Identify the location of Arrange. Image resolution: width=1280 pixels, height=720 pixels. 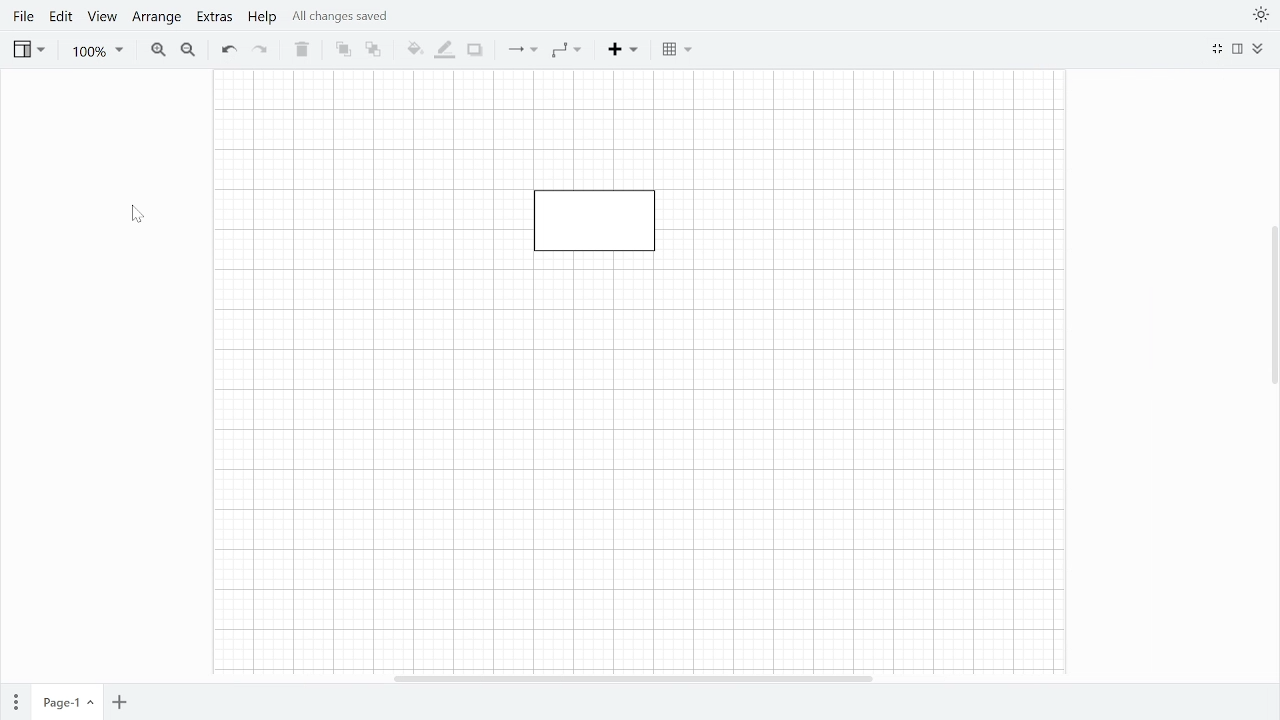
(157, 20).